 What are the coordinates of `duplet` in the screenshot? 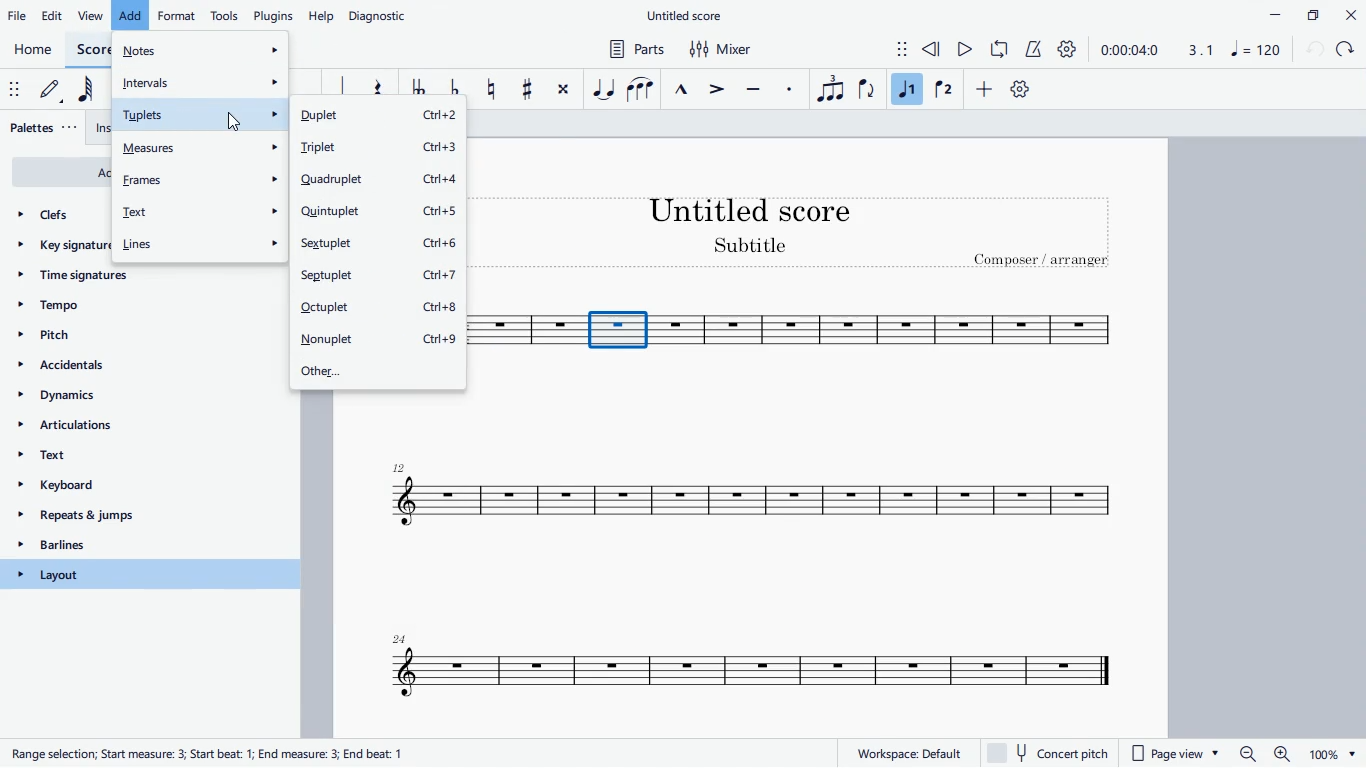 It's located at (375, 117).